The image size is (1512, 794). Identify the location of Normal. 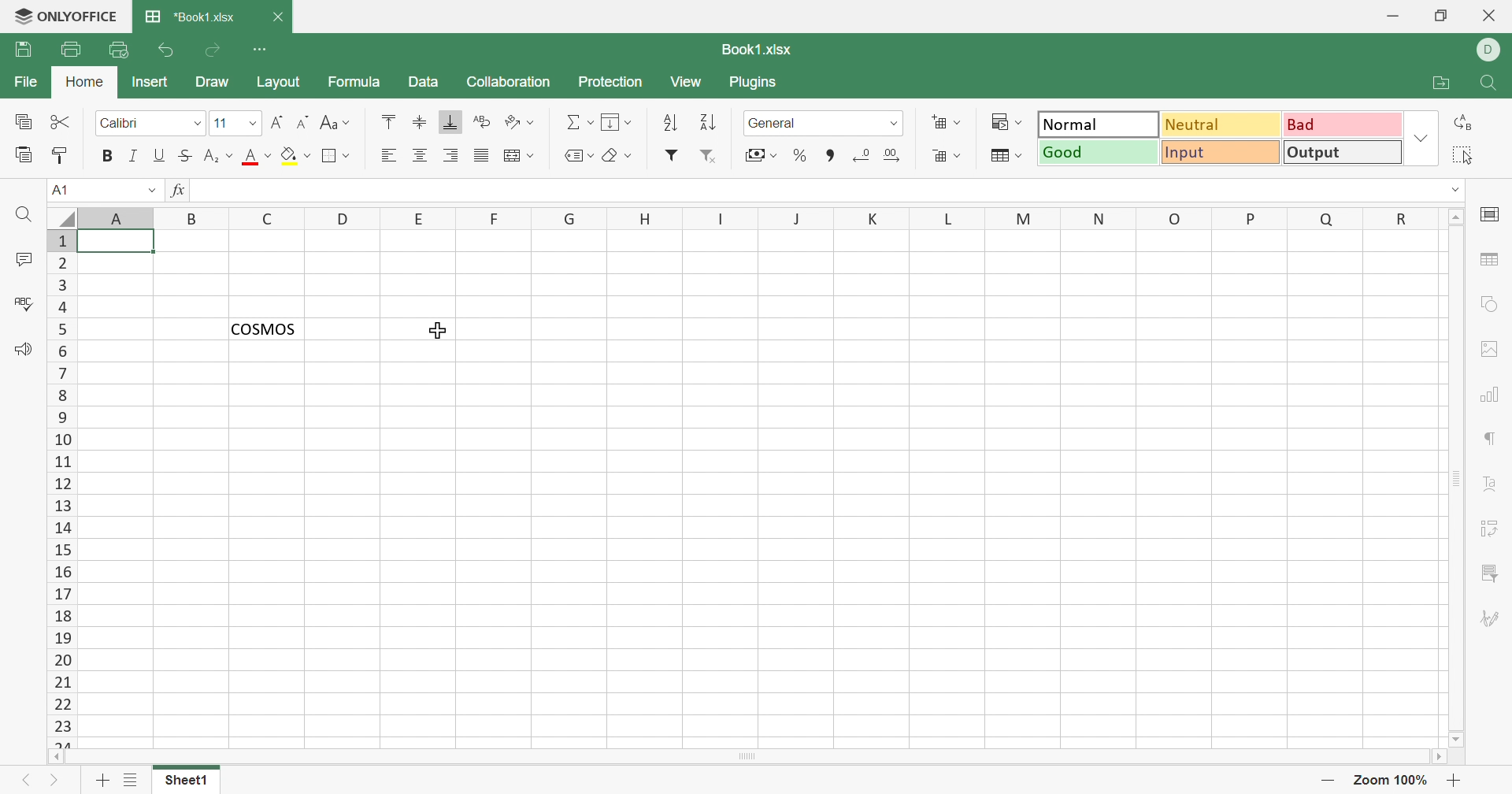
(1099, 123).